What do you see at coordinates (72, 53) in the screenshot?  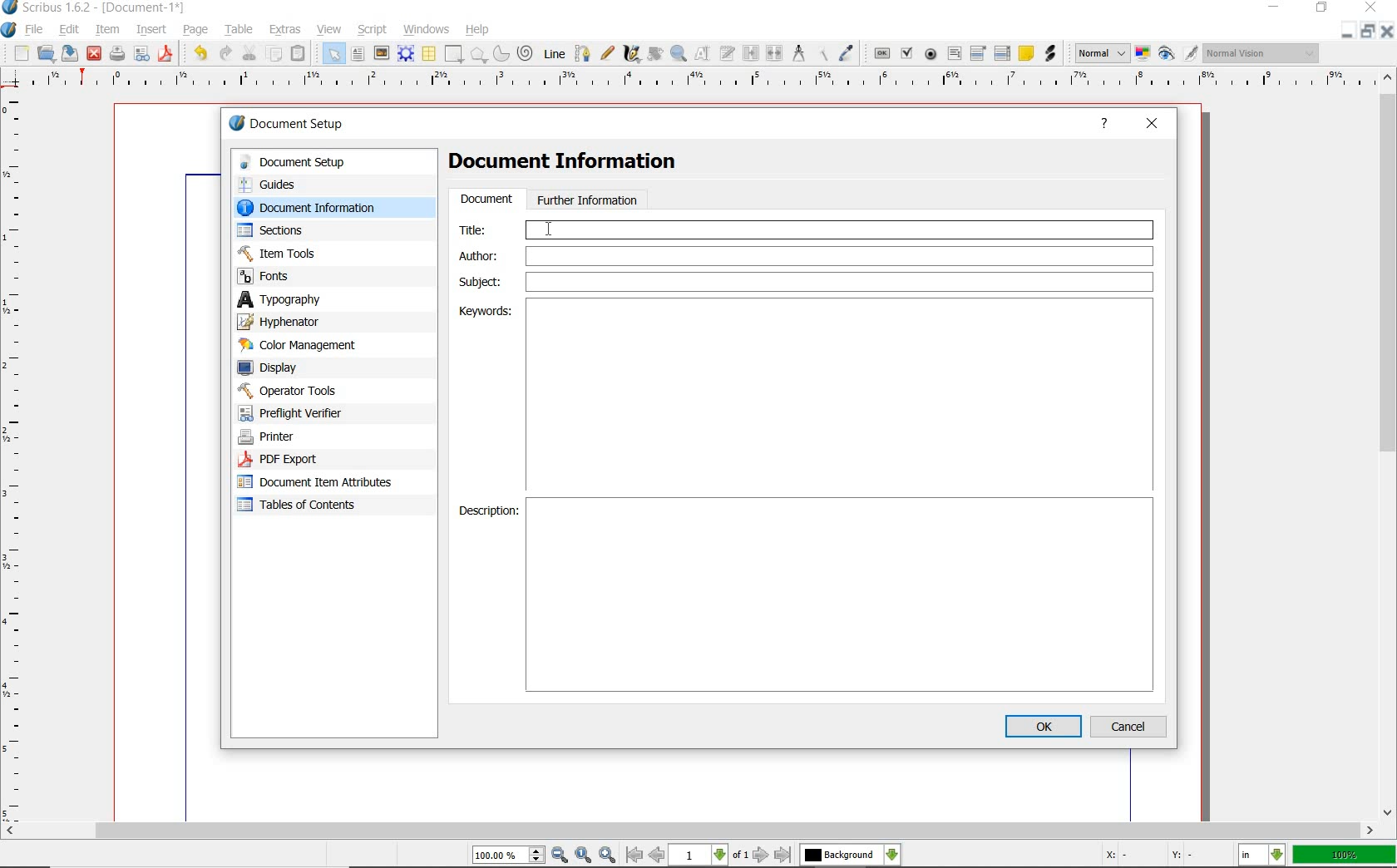 I see `save` at bounding box center [72, 53].